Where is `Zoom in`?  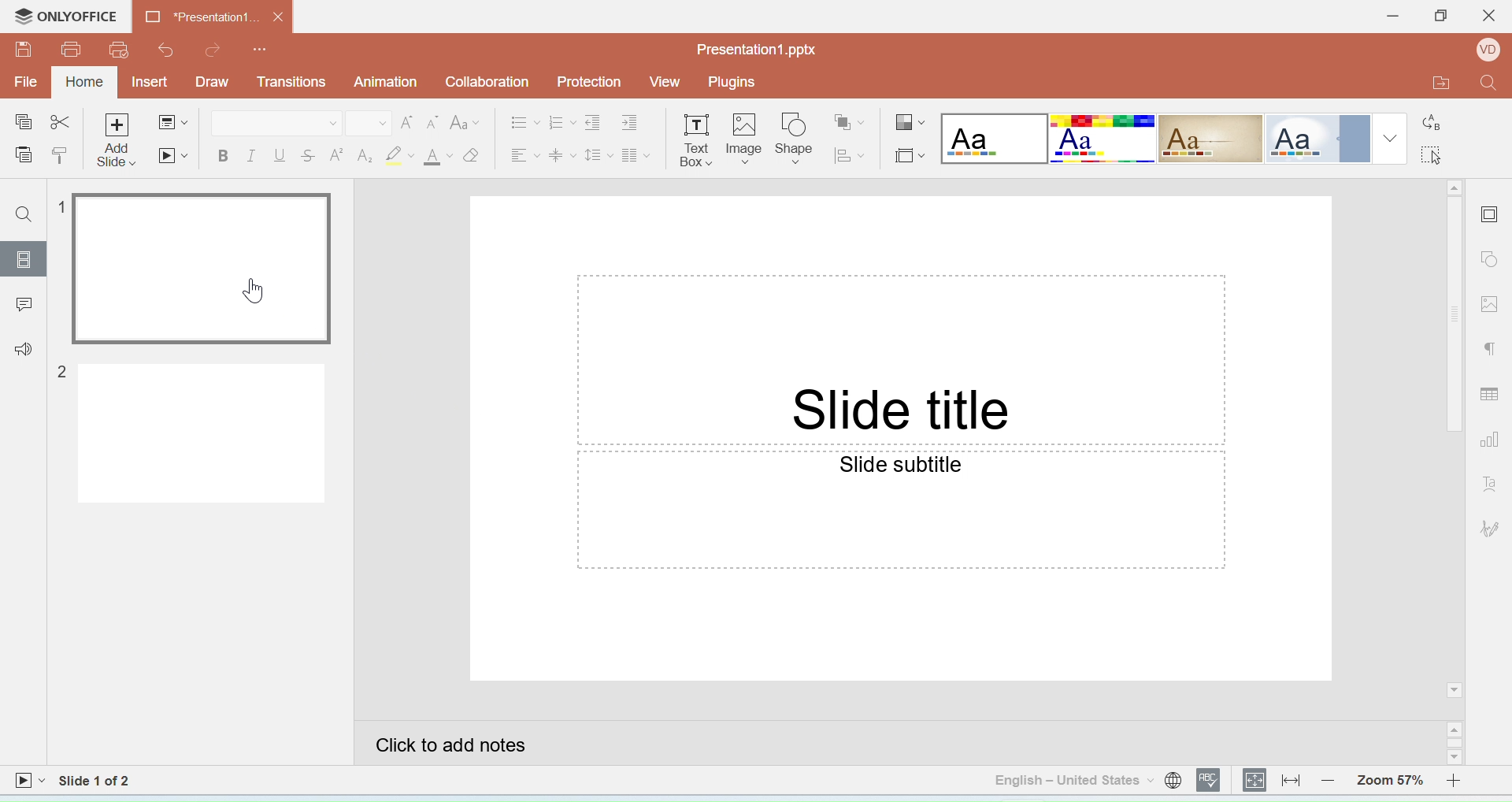 Zoom in is located at coordinates (1460, 779).